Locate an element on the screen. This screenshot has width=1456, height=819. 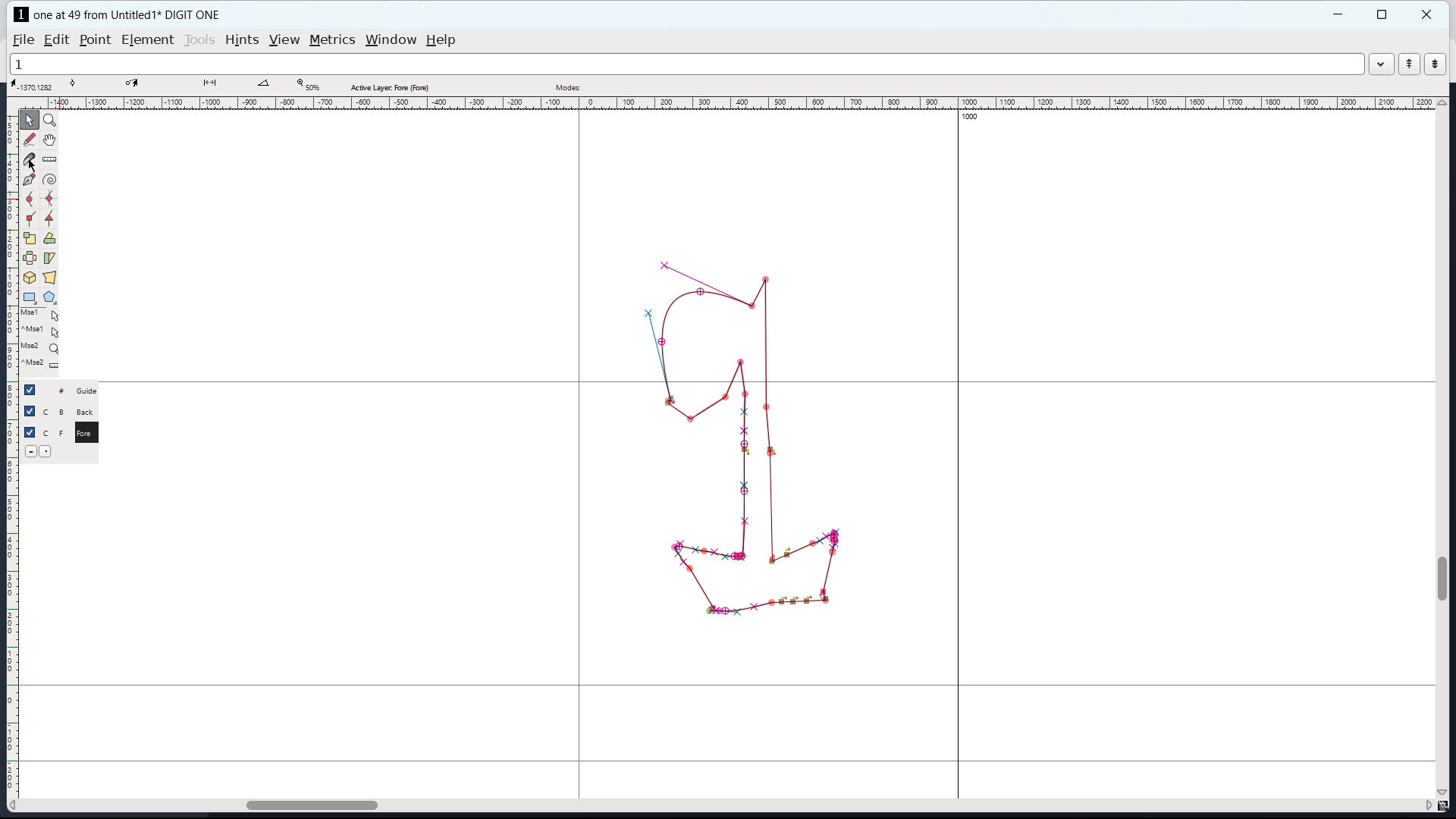
^mse1 is located at coordinates (42, 329).